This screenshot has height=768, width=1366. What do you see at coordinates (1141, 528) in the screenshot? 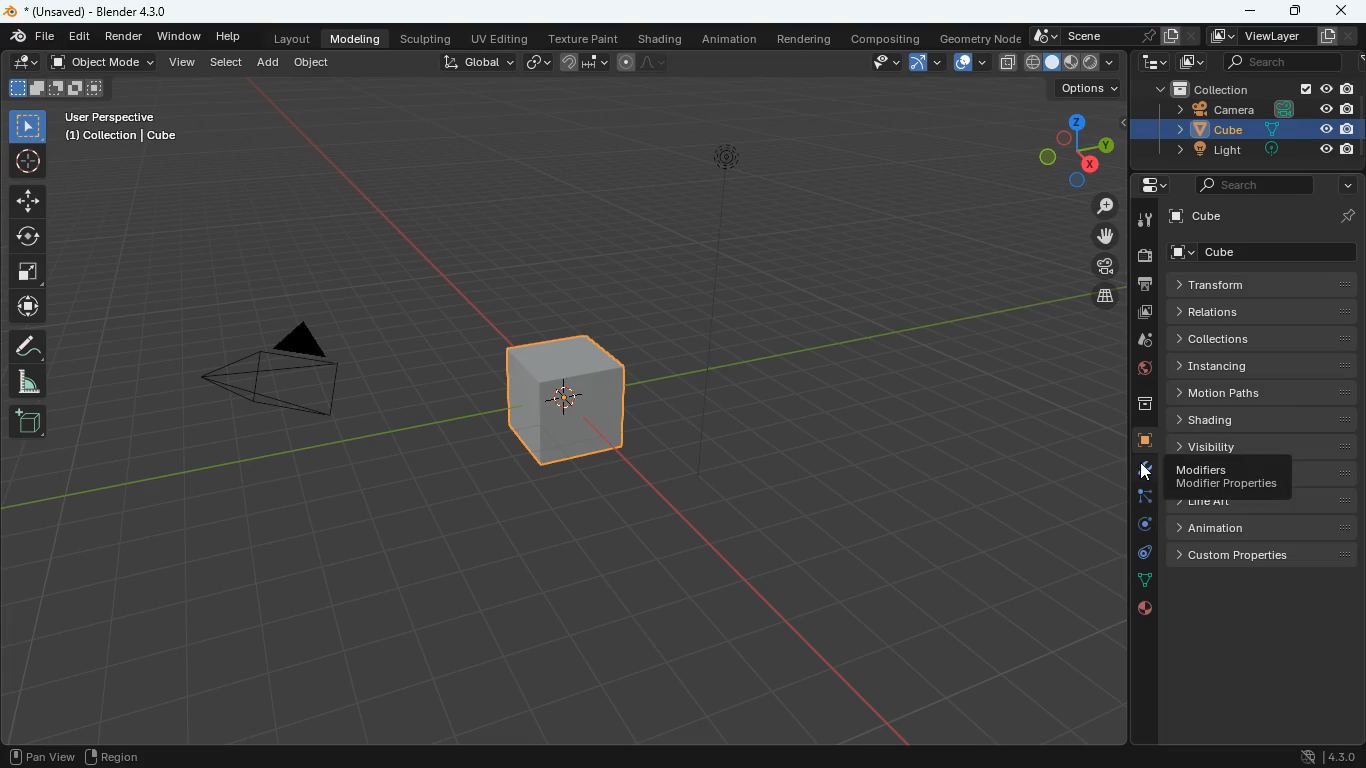
I see `rotate` at bounding box center [1141, 528].